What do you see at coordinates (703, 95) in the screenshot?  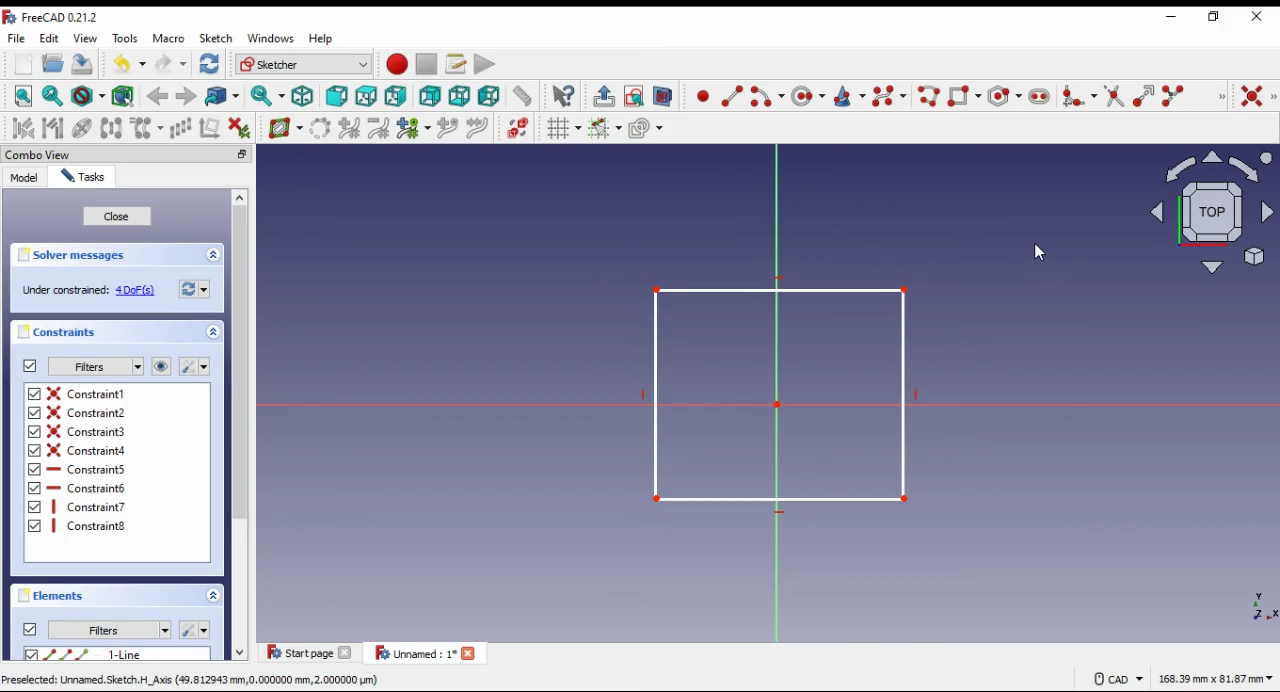 I see `create point` at bounding box center [703, 95].